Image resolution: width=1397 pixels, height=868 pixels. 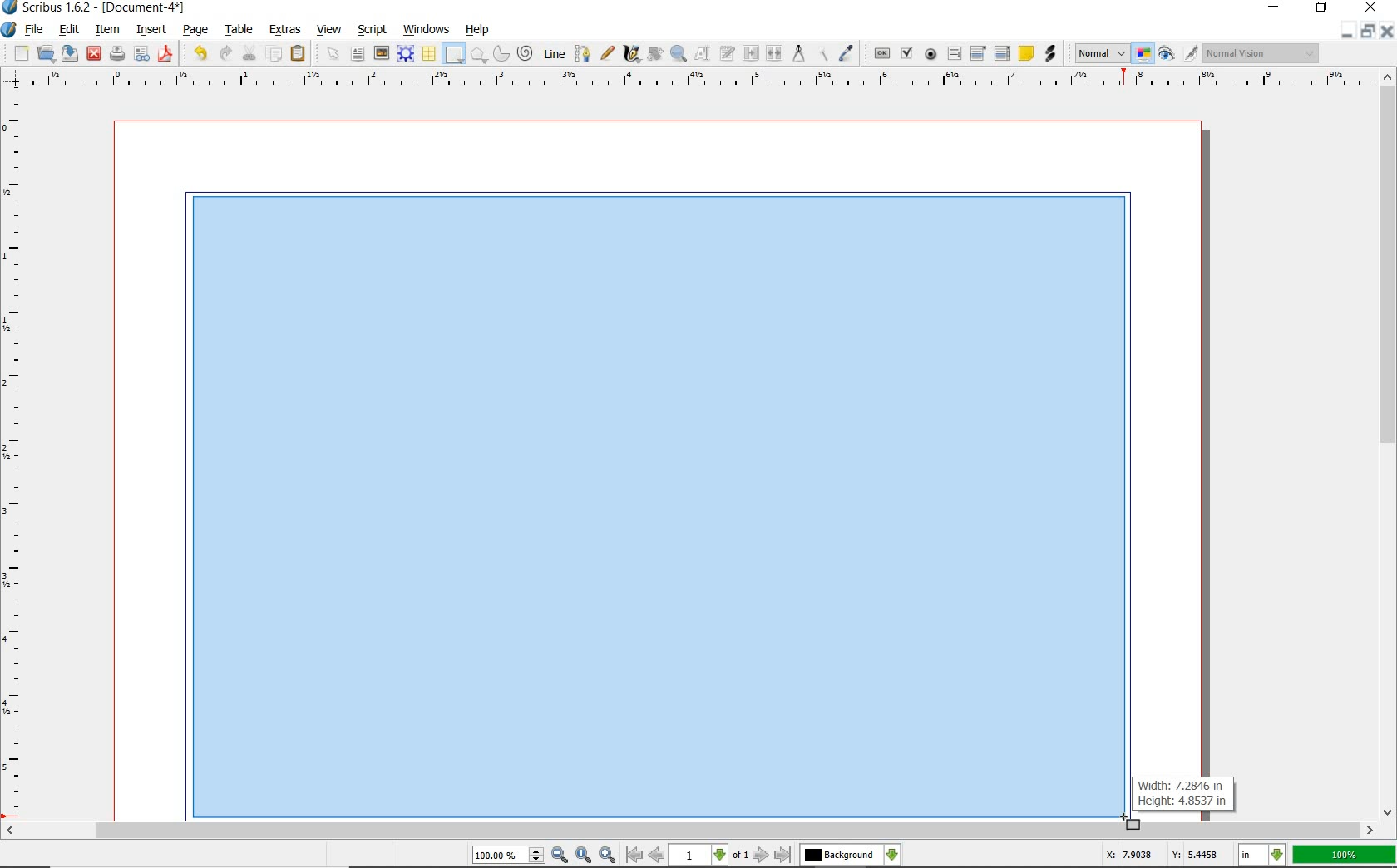 What do you see at coordinates (239, 30) in the screenshot?
I see `table` at bounding box center [239, 30].